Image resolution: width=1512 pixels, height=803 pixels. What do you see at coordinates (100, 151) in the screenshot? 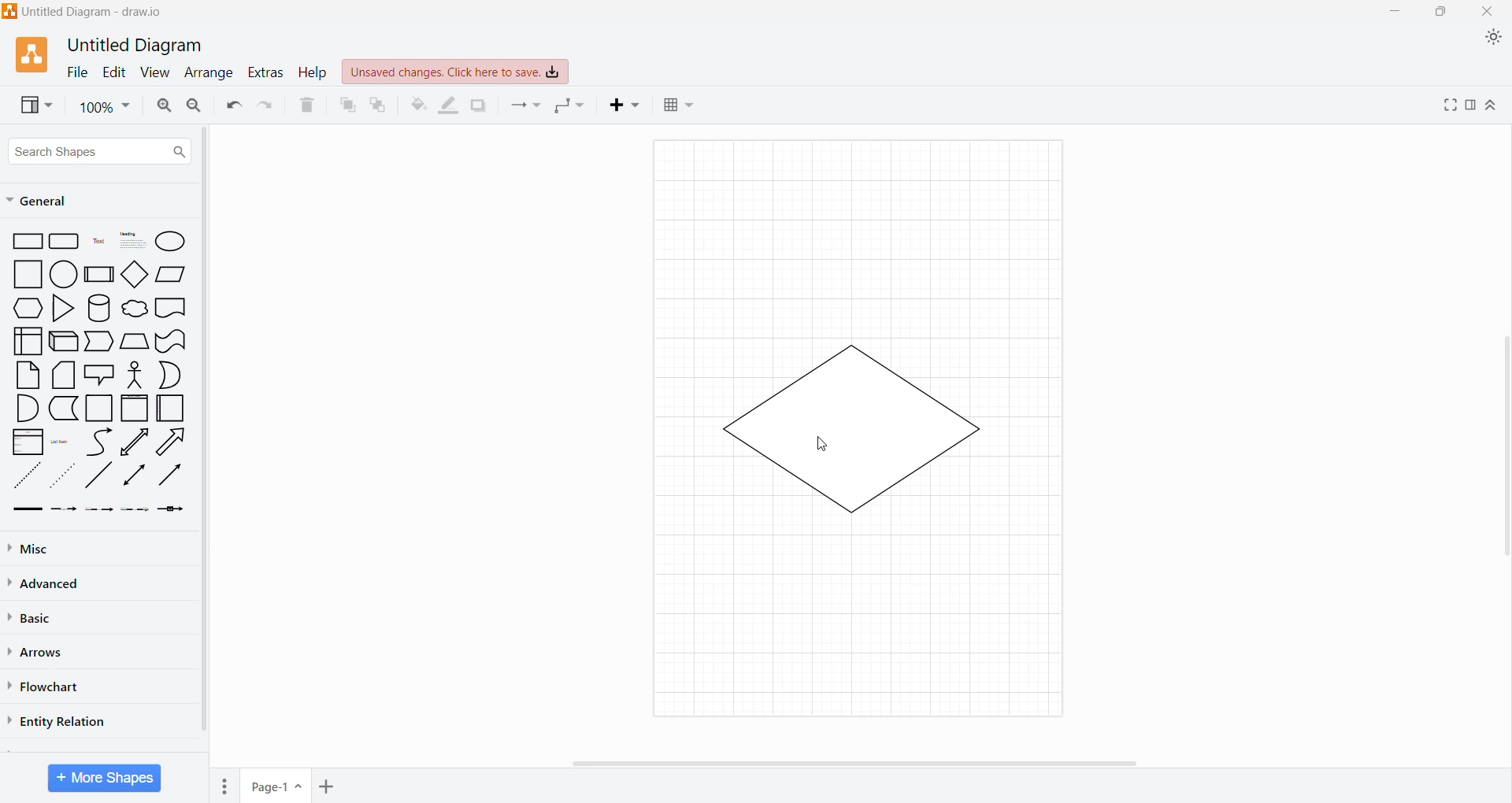
I see `Search Shapes` at bounding box center [100, 151].